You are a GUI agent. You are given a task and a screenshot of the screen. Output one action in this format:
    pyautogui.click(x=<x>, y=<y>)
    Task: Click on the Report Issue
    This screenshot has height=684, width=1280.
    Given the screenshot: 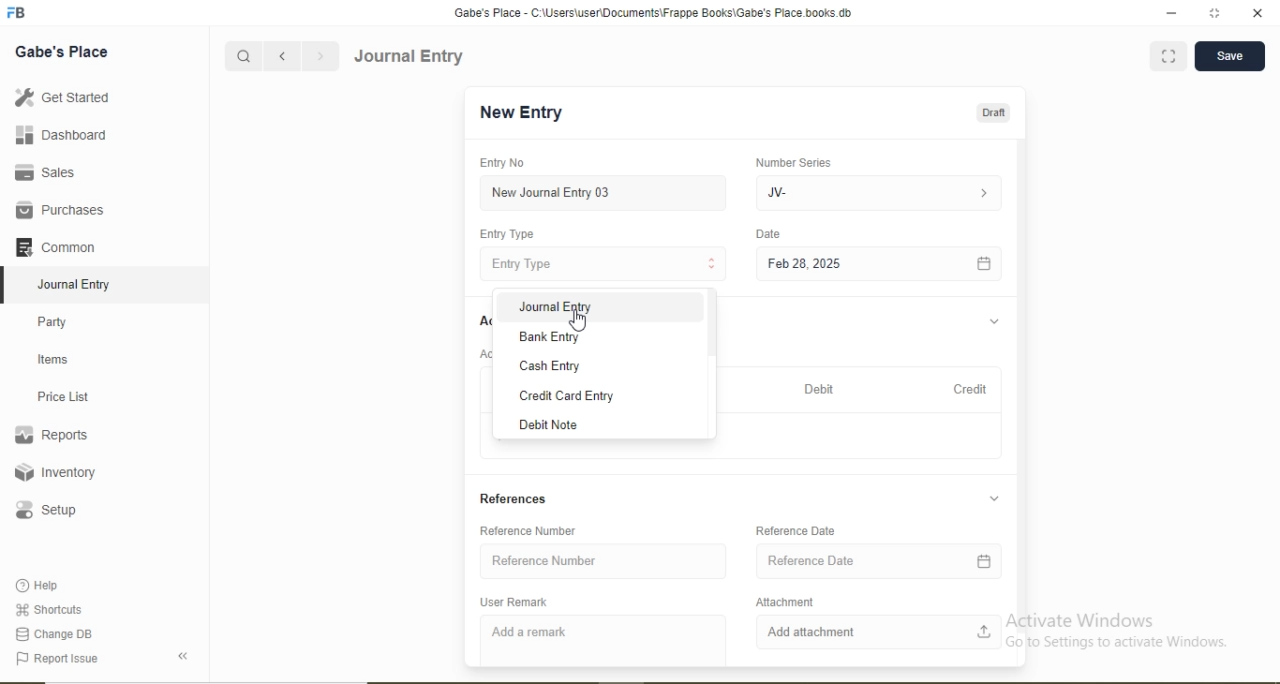 What is the action you would take?
    pyautogui.click(x=56, y=659)
    